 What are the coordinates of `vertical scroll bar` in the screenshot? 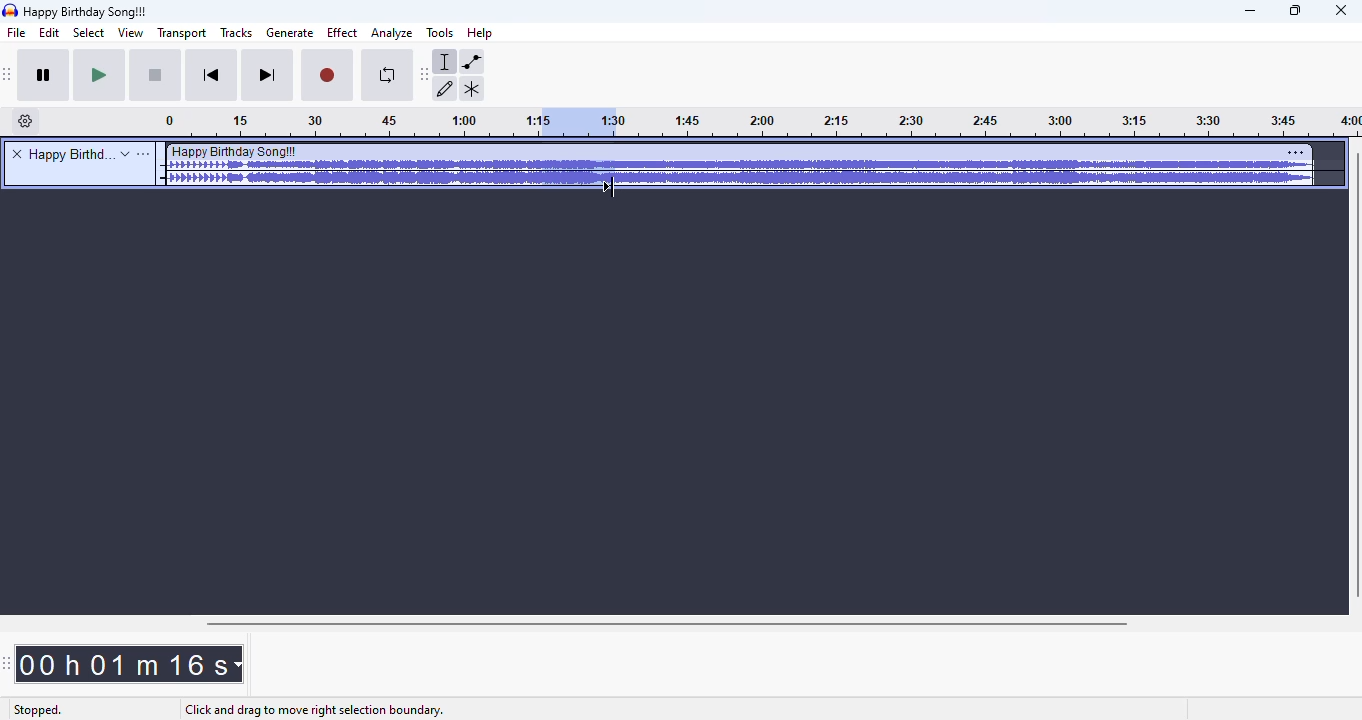 It's located at (1353, 376).